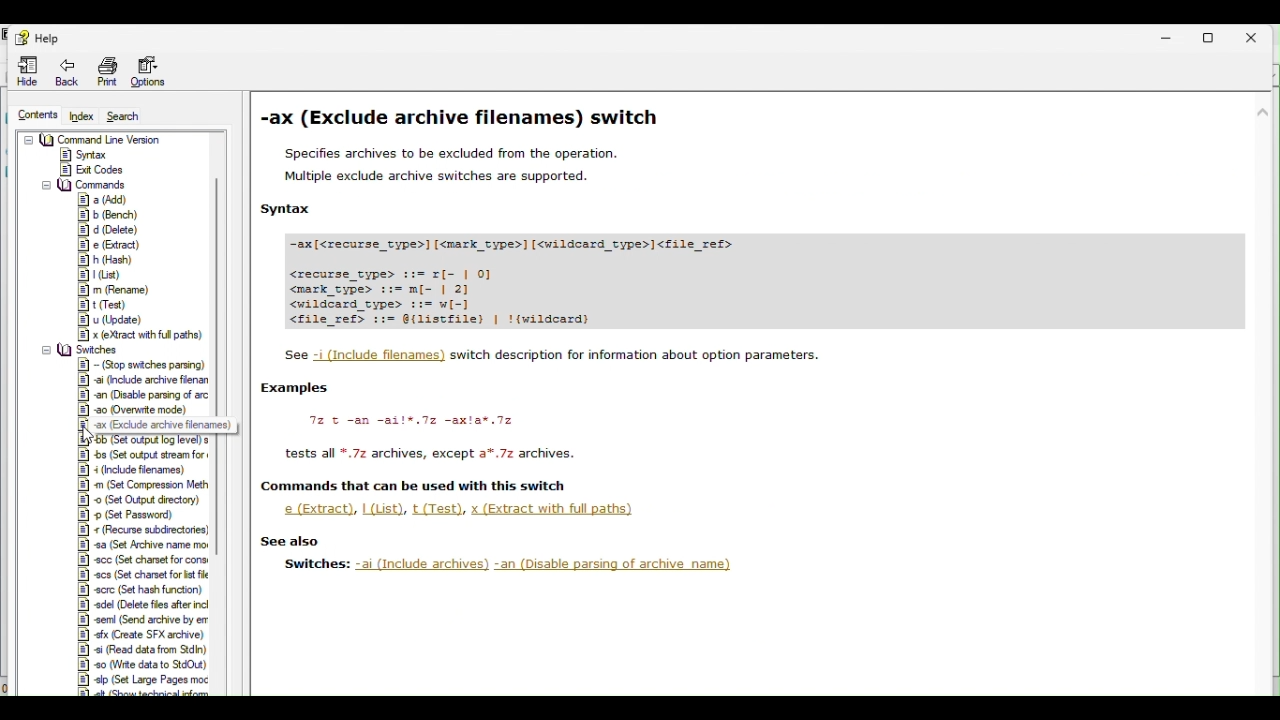 The width and height of the screenshot is (1280, 720). Describe the element at coordinates (146, 394) in the screenshot. I see `18] an (Disable parsing of ac |` at that location.